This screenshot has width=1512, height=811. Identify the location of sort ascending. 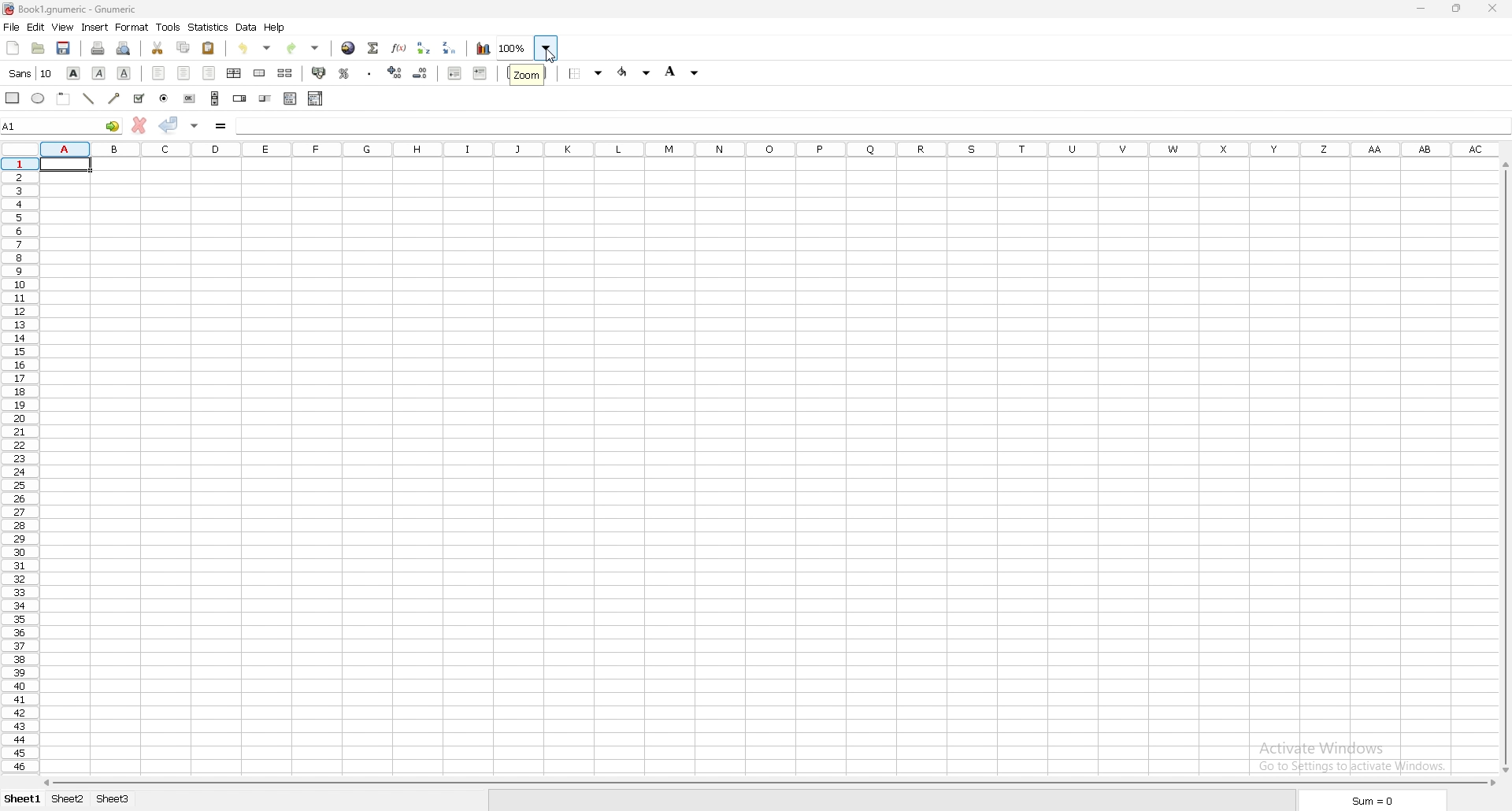
(424, 48).